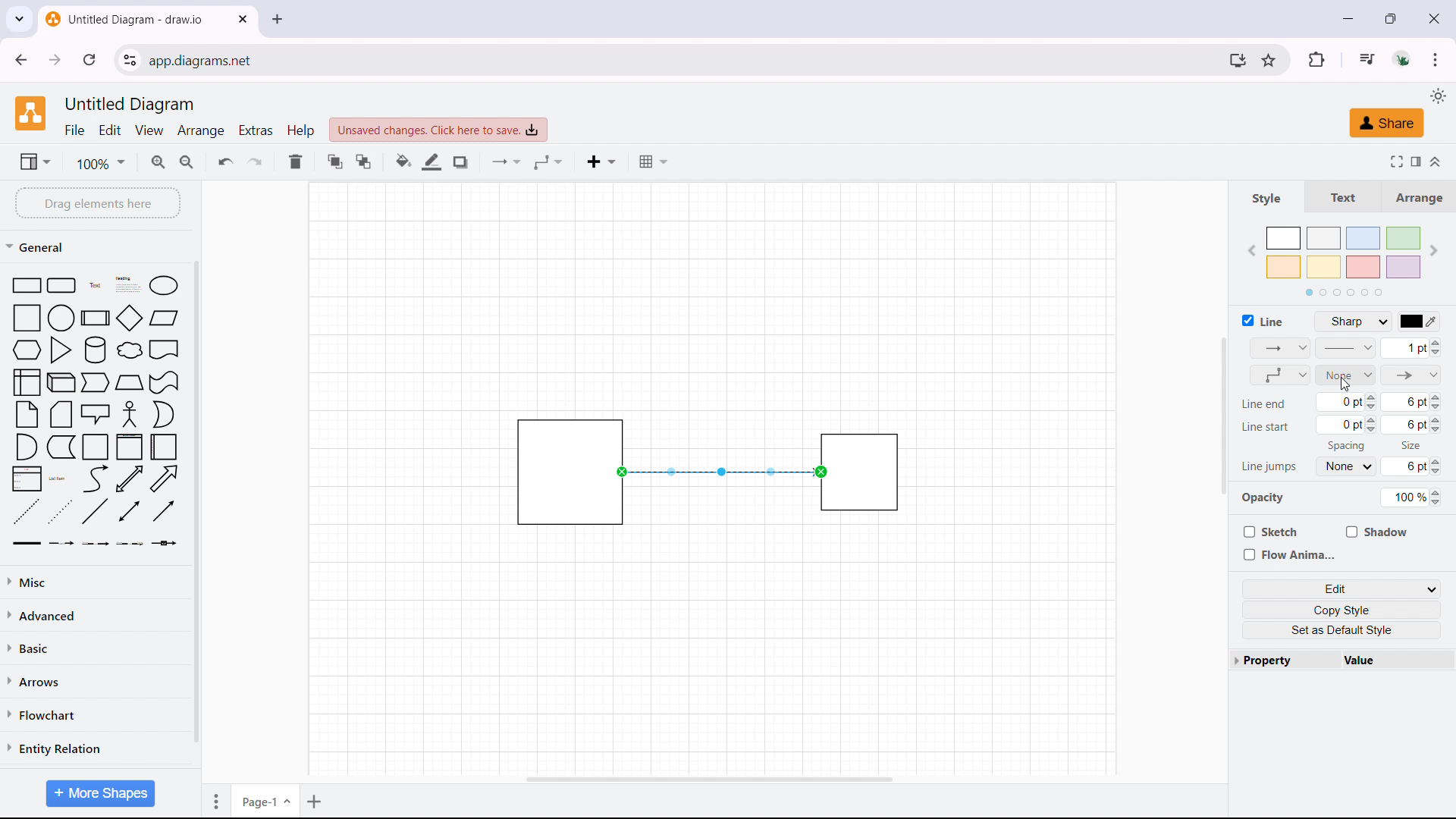 The image size is (1456, 819). I want to click on help, so click(300, 130).